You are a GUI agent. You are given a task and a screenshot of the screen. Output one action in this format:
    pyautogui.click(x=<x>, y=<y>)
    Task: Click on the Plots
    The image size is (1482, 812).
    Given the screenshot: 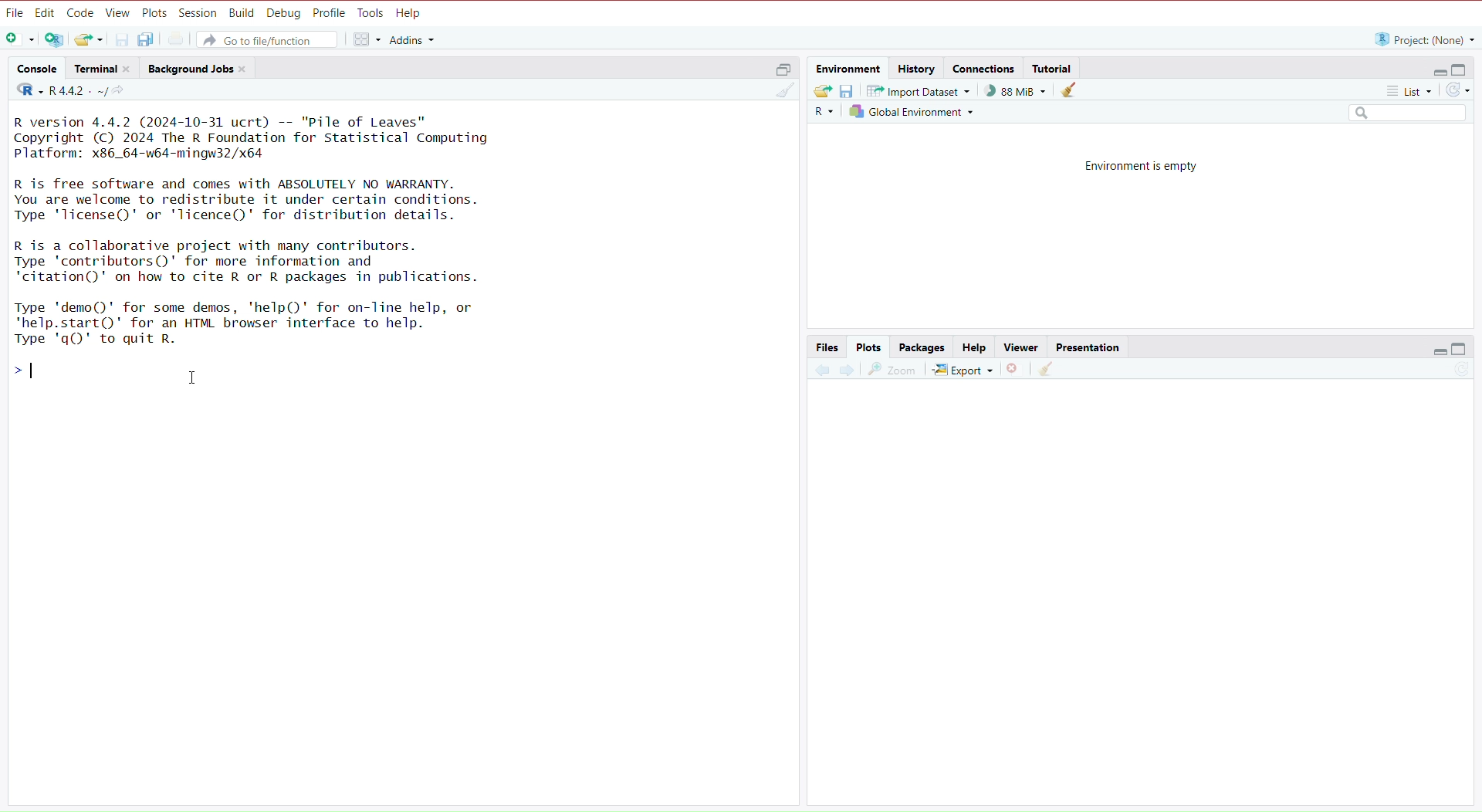 What is the action you would take?
    pyautogui.click(x=868, y=347)
    